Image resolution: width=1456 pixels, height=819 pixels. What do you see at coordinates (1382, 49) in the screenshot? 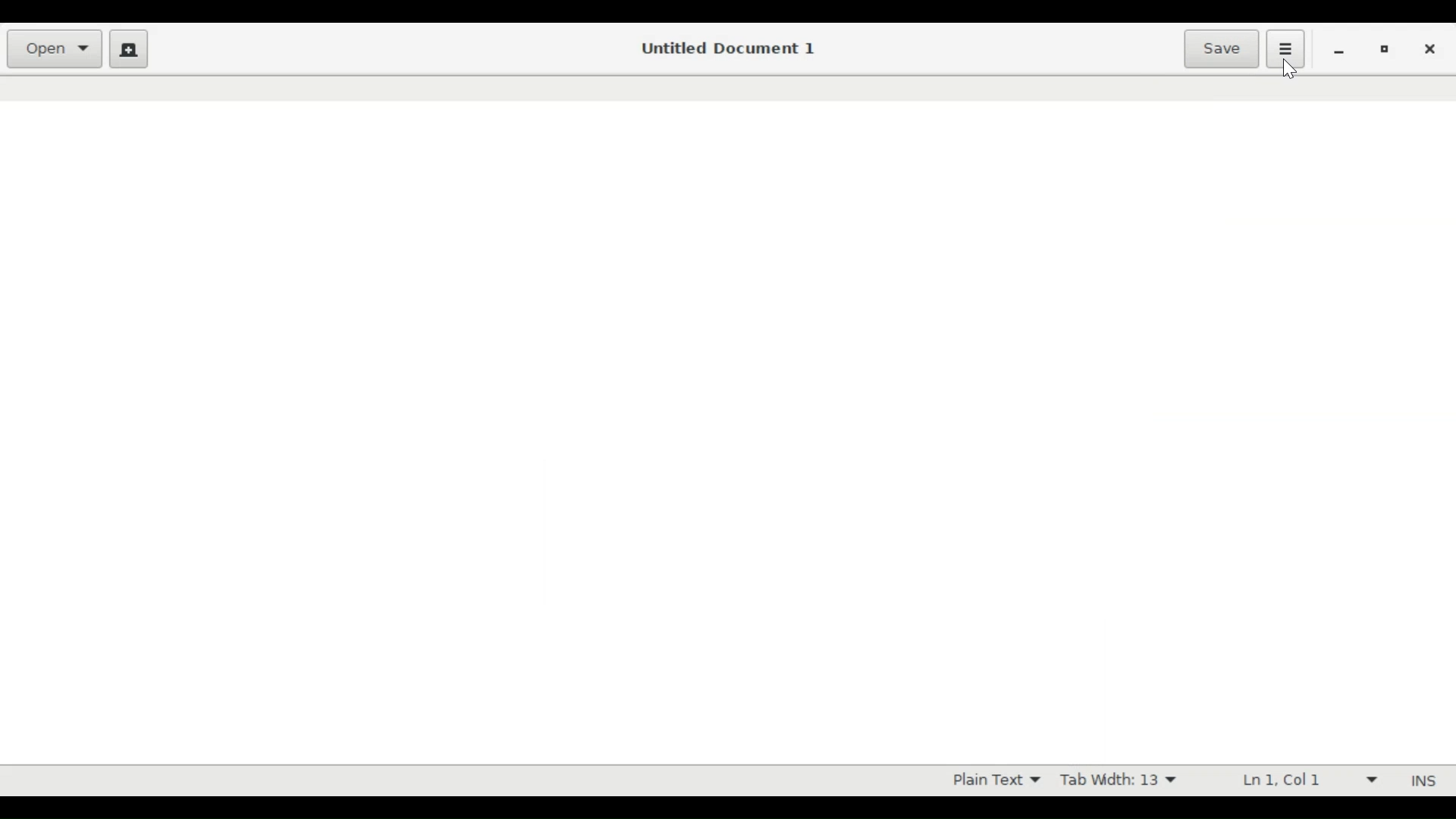
I see `restore` at bounding box center [1382, 49].